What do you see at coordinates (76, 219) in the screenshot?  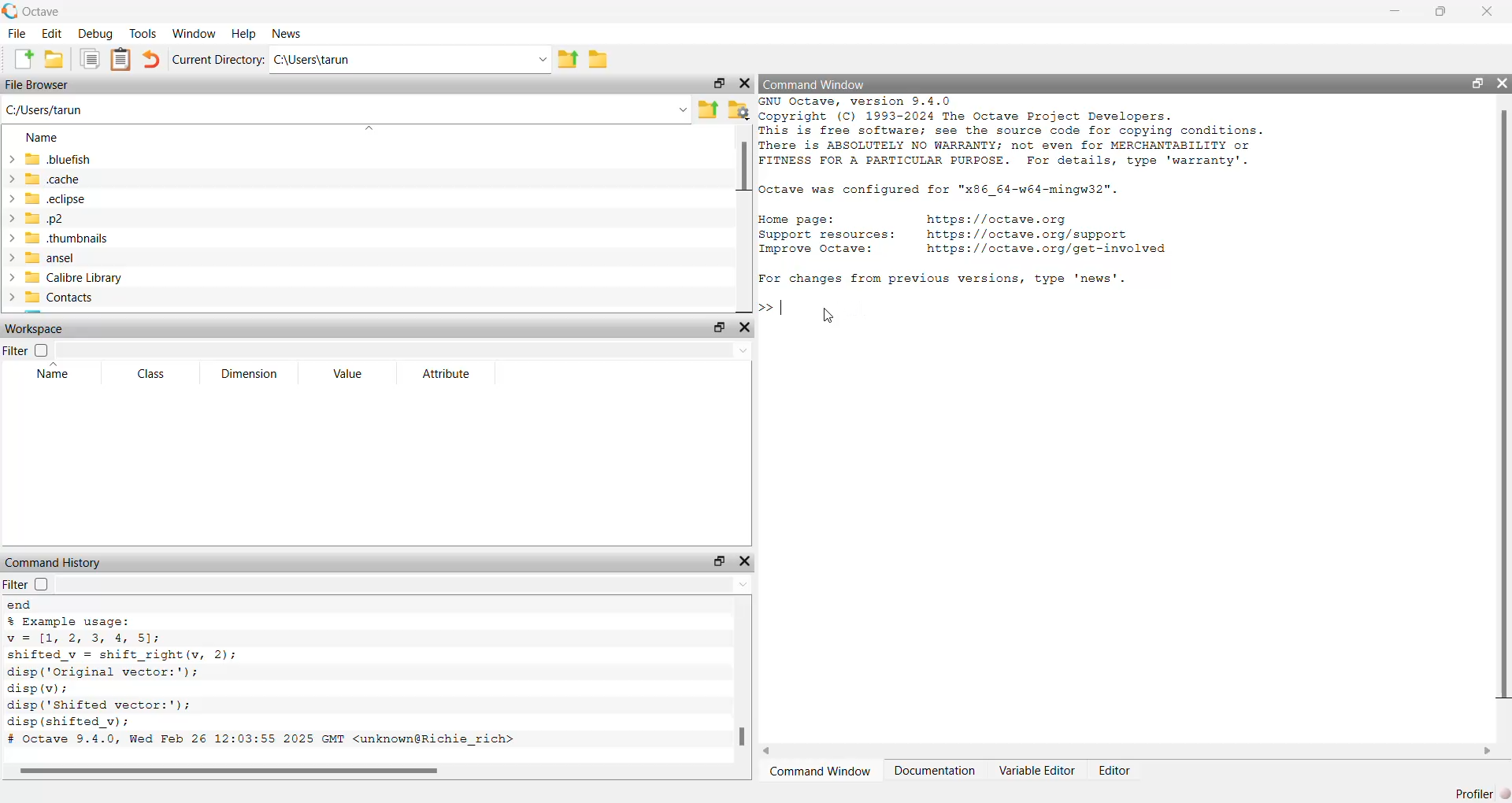 I see `.p2` at bounding box center [76, 219].